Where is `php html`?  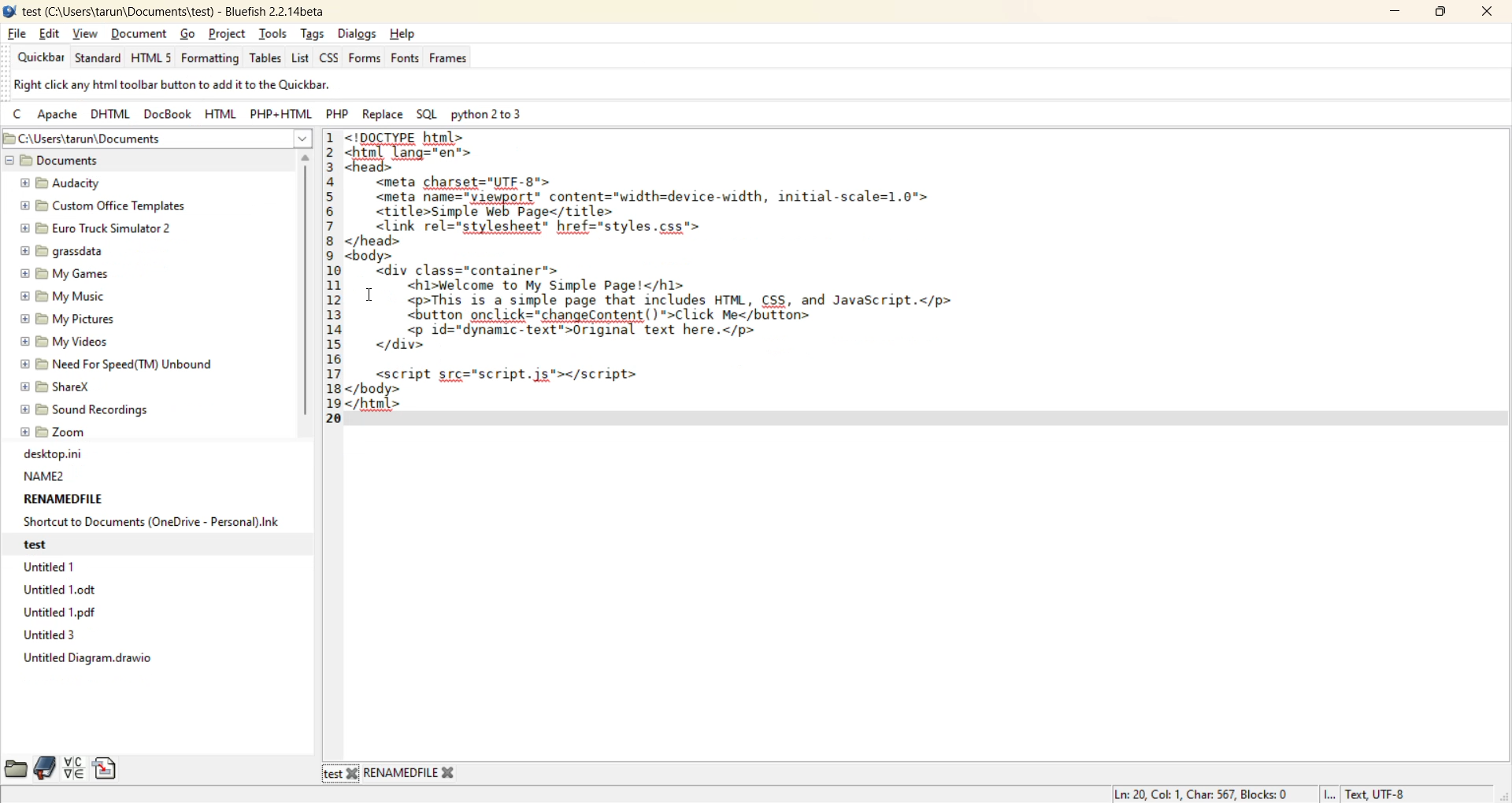 php html is located at coordinates (281, 115).